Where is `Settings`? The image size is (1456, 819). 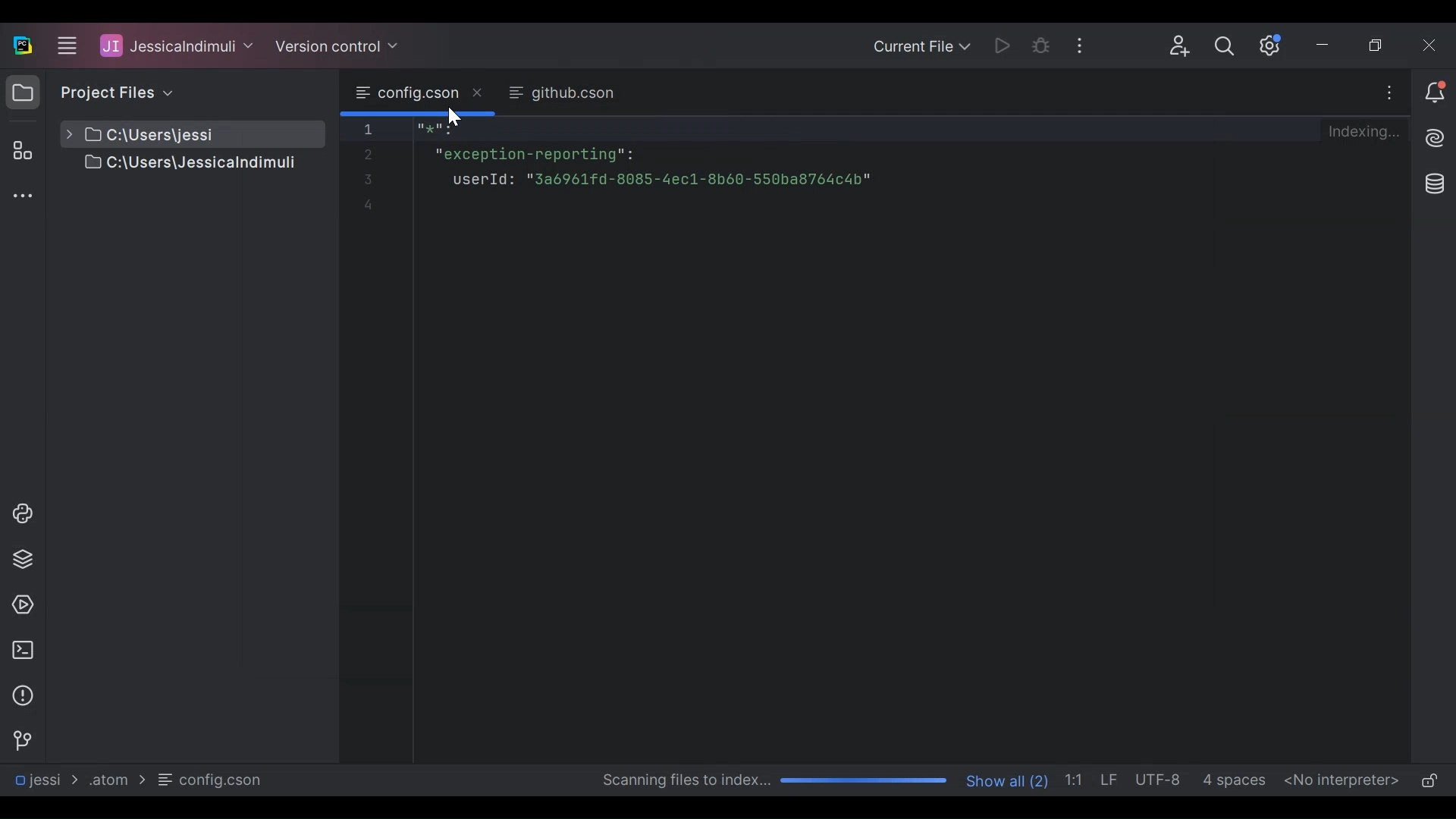
Settings is located at coordinates (1272, 45).